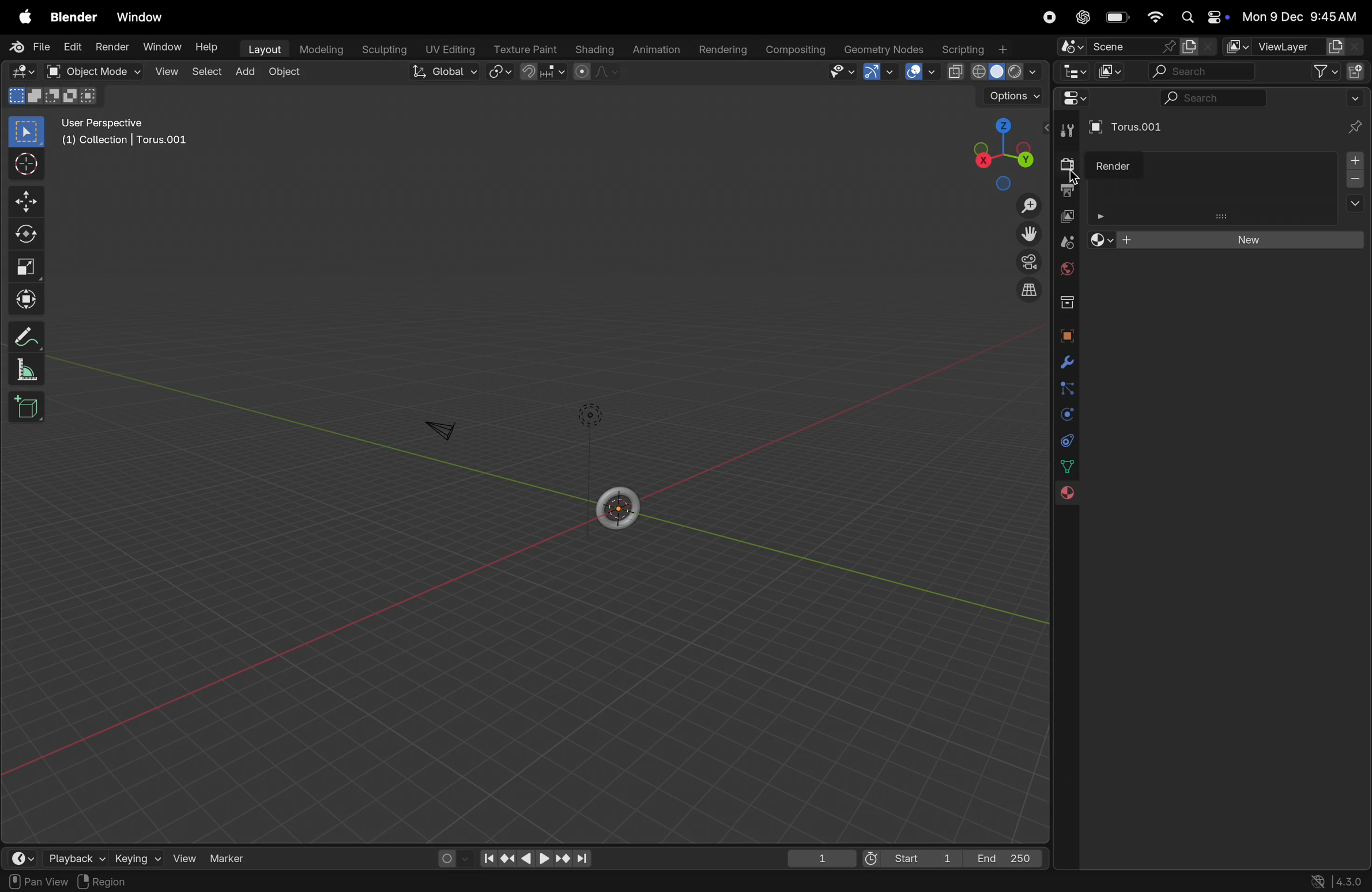  I want to click on output, so click(1066, 189).